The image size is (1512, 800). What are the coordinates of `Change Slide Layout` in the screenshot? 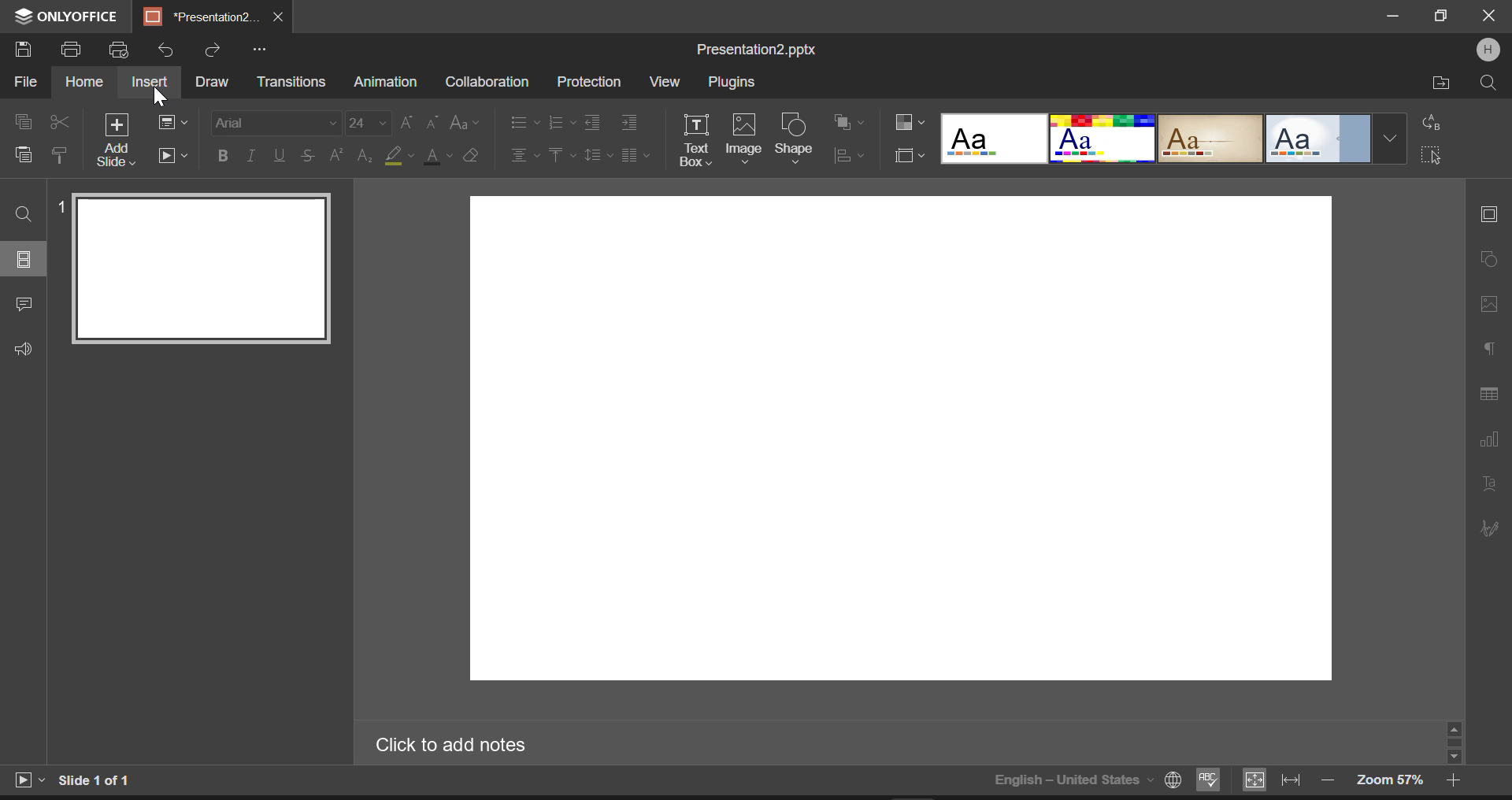 It's located at (176, 122).